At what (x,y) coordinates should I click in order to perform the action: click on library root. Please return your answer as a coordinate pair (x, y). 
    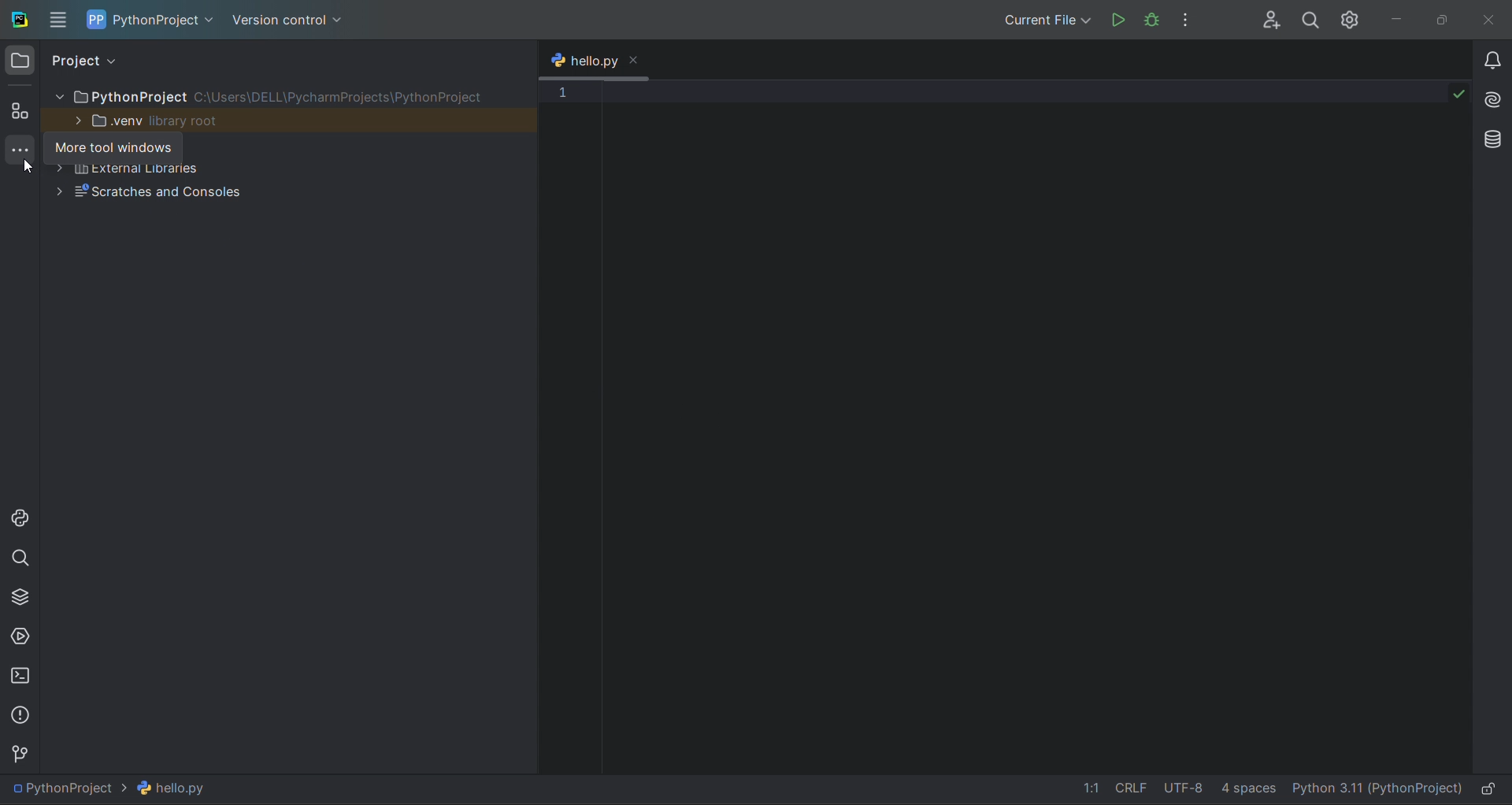
    Looking at the image, I should click on (188, 121).